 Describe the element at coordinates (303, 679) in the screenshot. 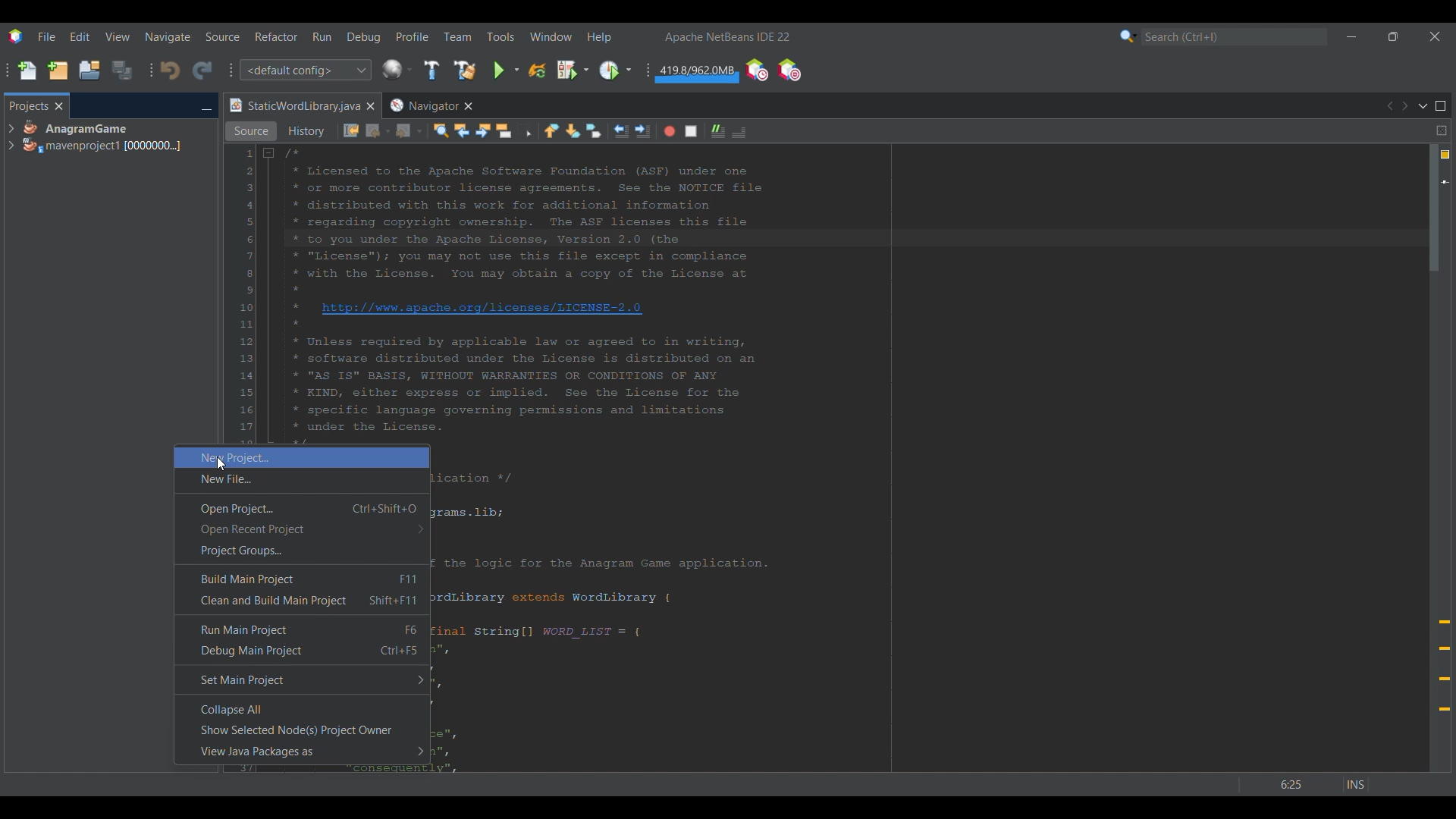

I see `Set main project options` at that location.